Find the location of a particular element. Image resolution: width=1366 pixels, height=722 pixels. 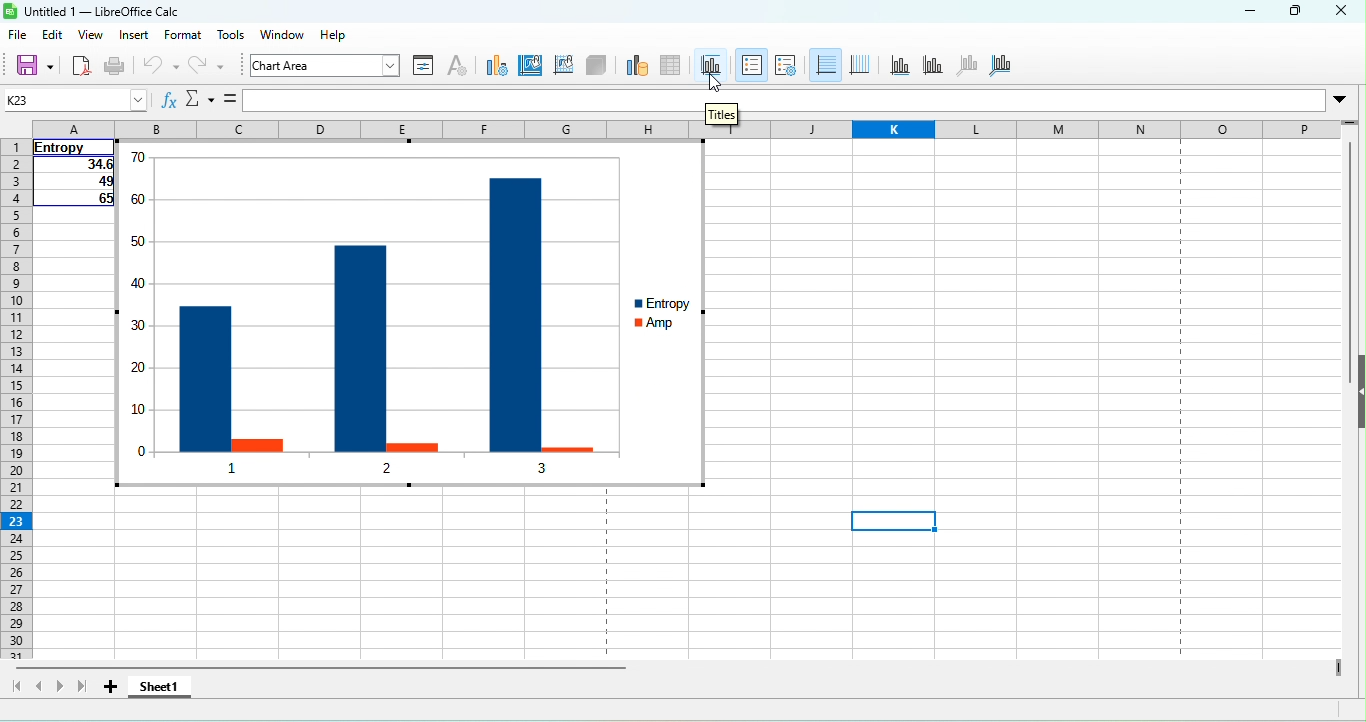

data range is located at coordinates (634, 67).